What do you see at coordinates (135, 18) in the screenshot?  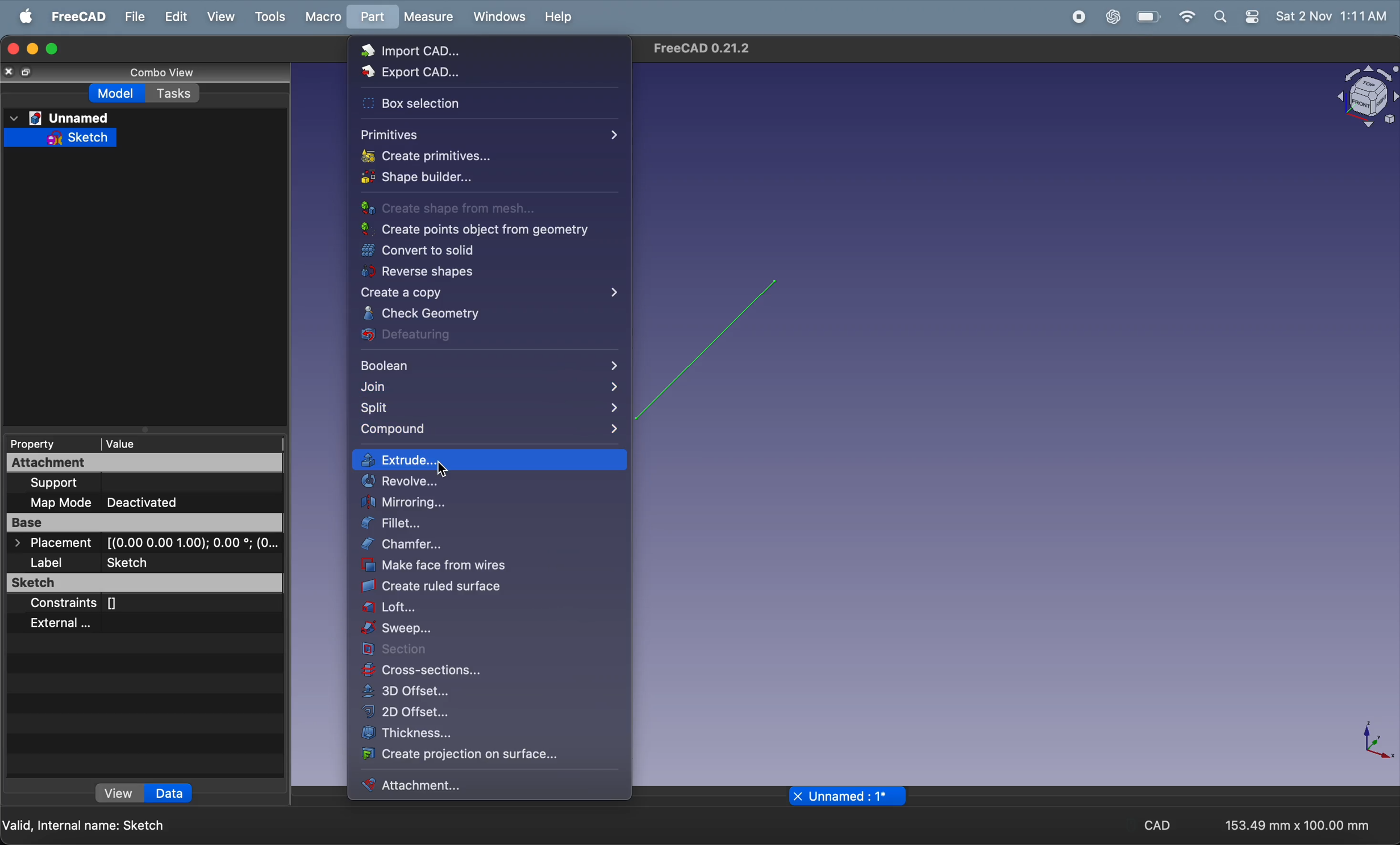 I see `file` at bounding box center [135, 18].